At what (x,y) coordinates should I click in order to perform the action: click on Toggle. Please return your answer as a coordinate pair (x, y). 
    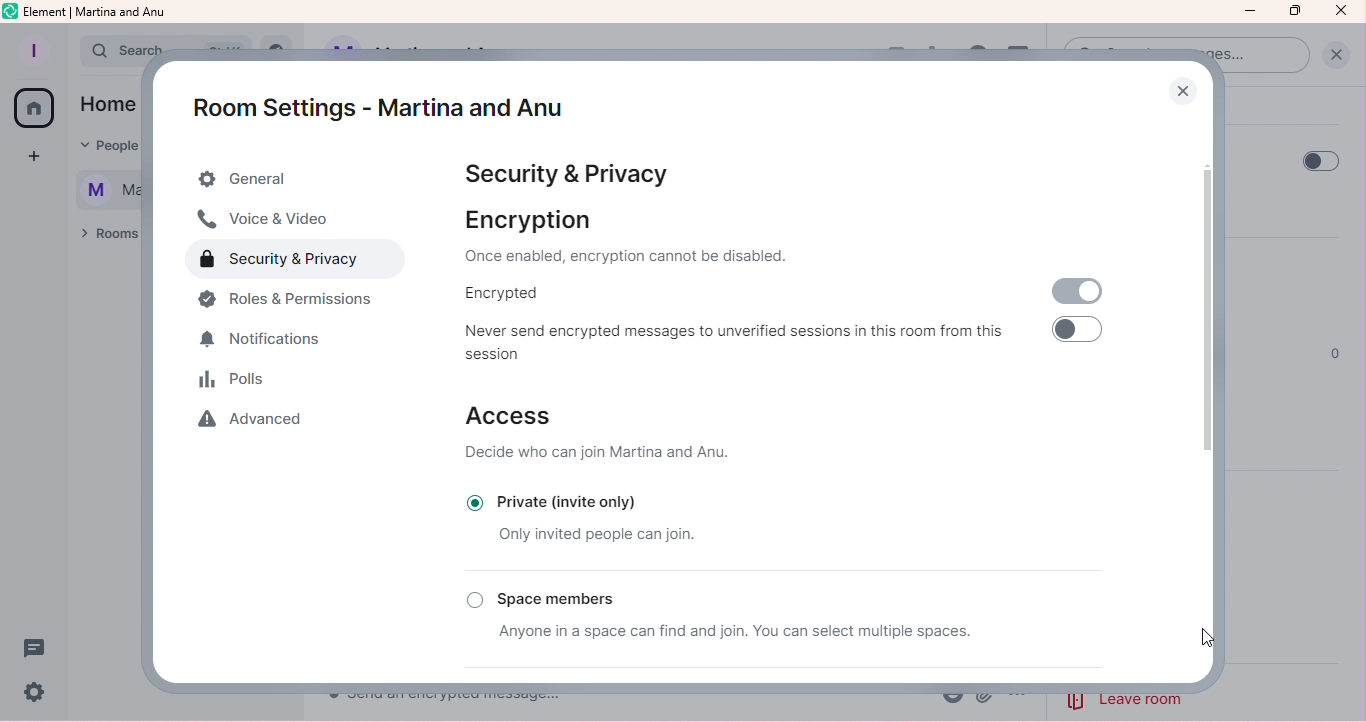
    Looking at the image, I should click on (1313, 161).